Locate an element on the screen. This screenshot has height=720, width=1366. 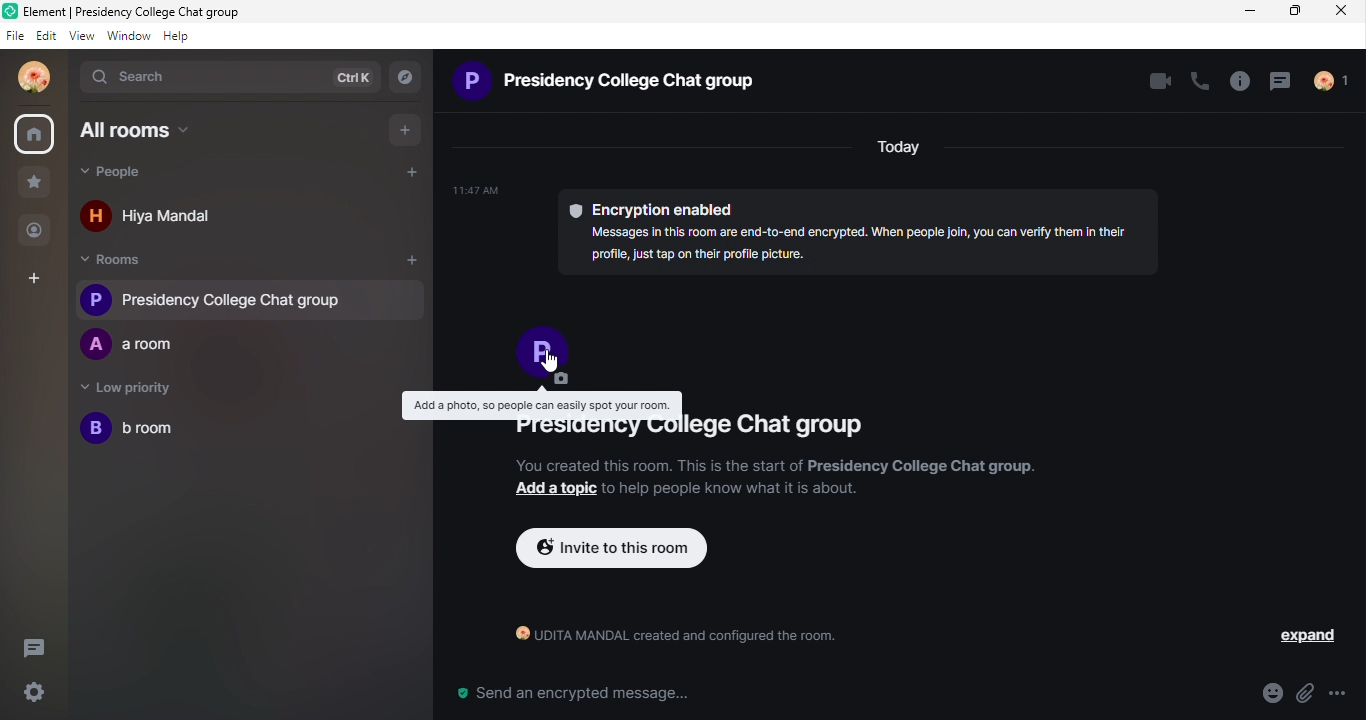
send an encrypted message is located at coordinates (571, 694).